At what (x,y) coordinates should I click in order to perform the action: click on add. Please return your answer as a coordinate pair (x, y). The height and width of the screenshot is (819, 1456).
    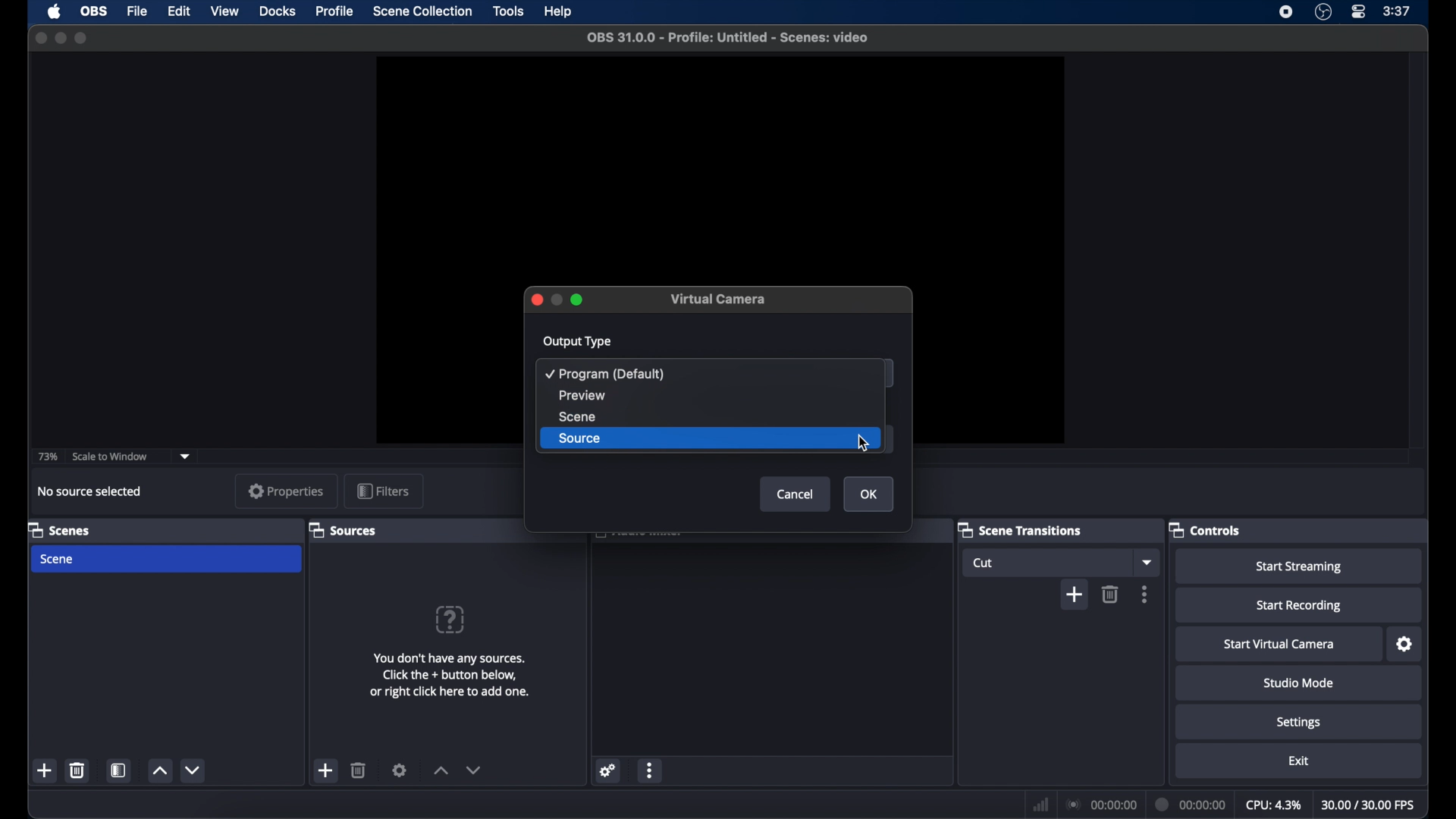
    Looking at the image, I should click on (326, 770).